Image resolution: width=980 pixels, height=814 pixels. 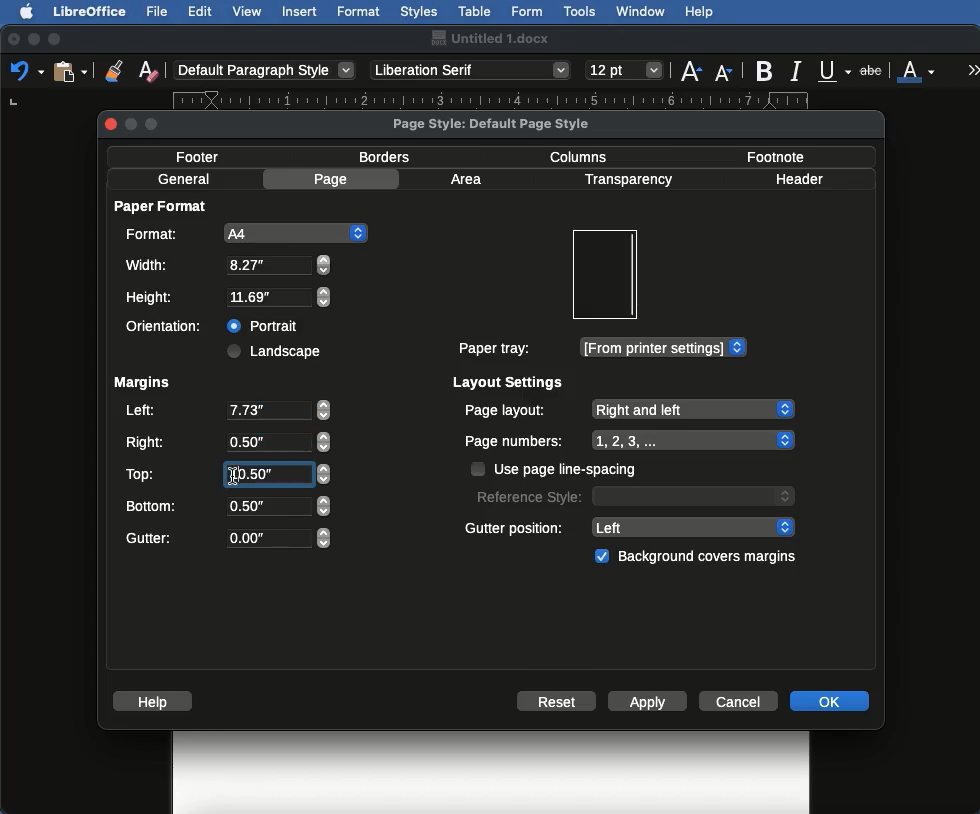 I want to click on Close, so click(x=14, y=40).